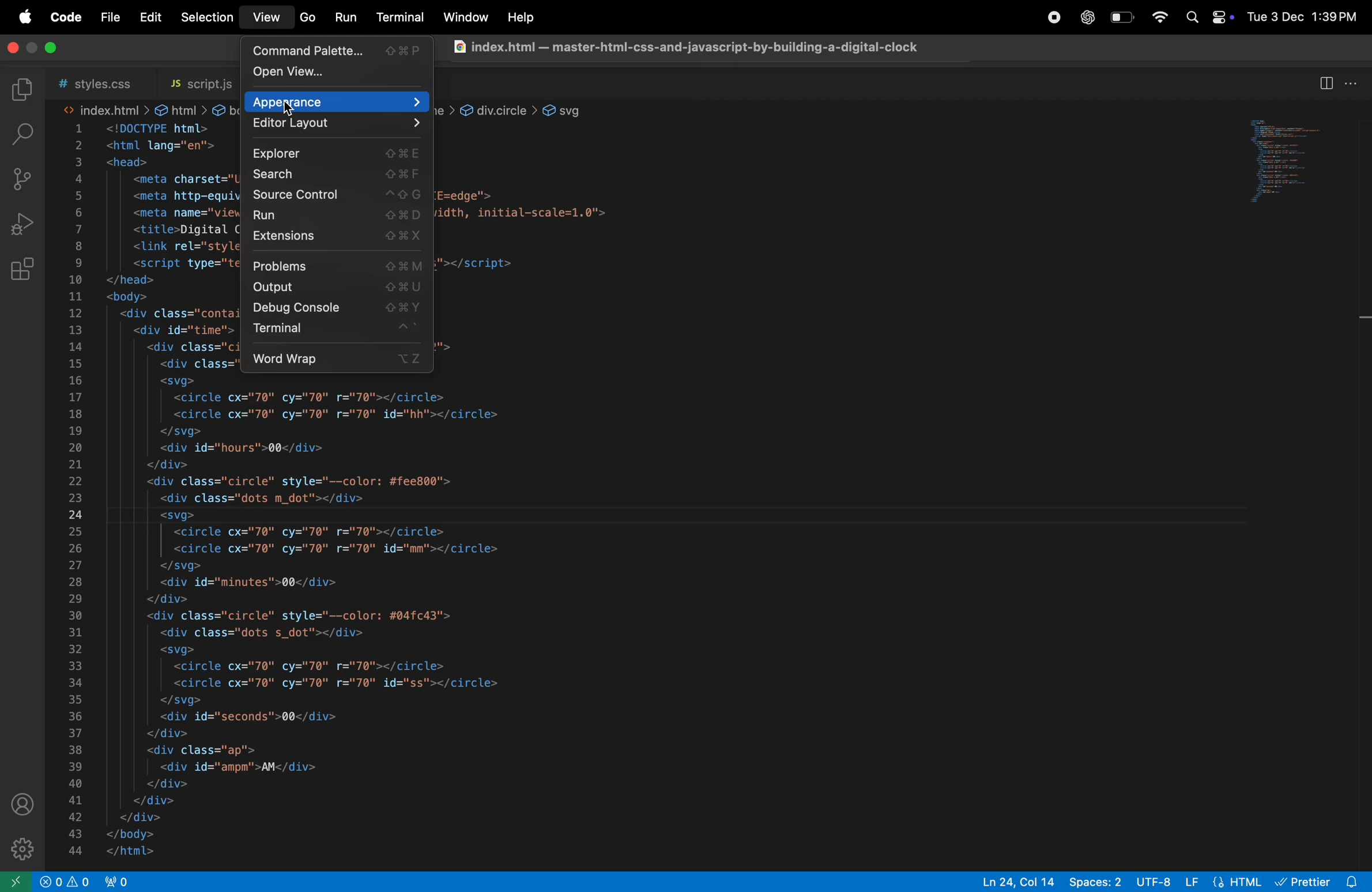 The height and width of the screenshot is (892, 1372). What do you see at coordinates (291, 119) in the screenshot?
I see `cursor` at bounding box center [291, 119].